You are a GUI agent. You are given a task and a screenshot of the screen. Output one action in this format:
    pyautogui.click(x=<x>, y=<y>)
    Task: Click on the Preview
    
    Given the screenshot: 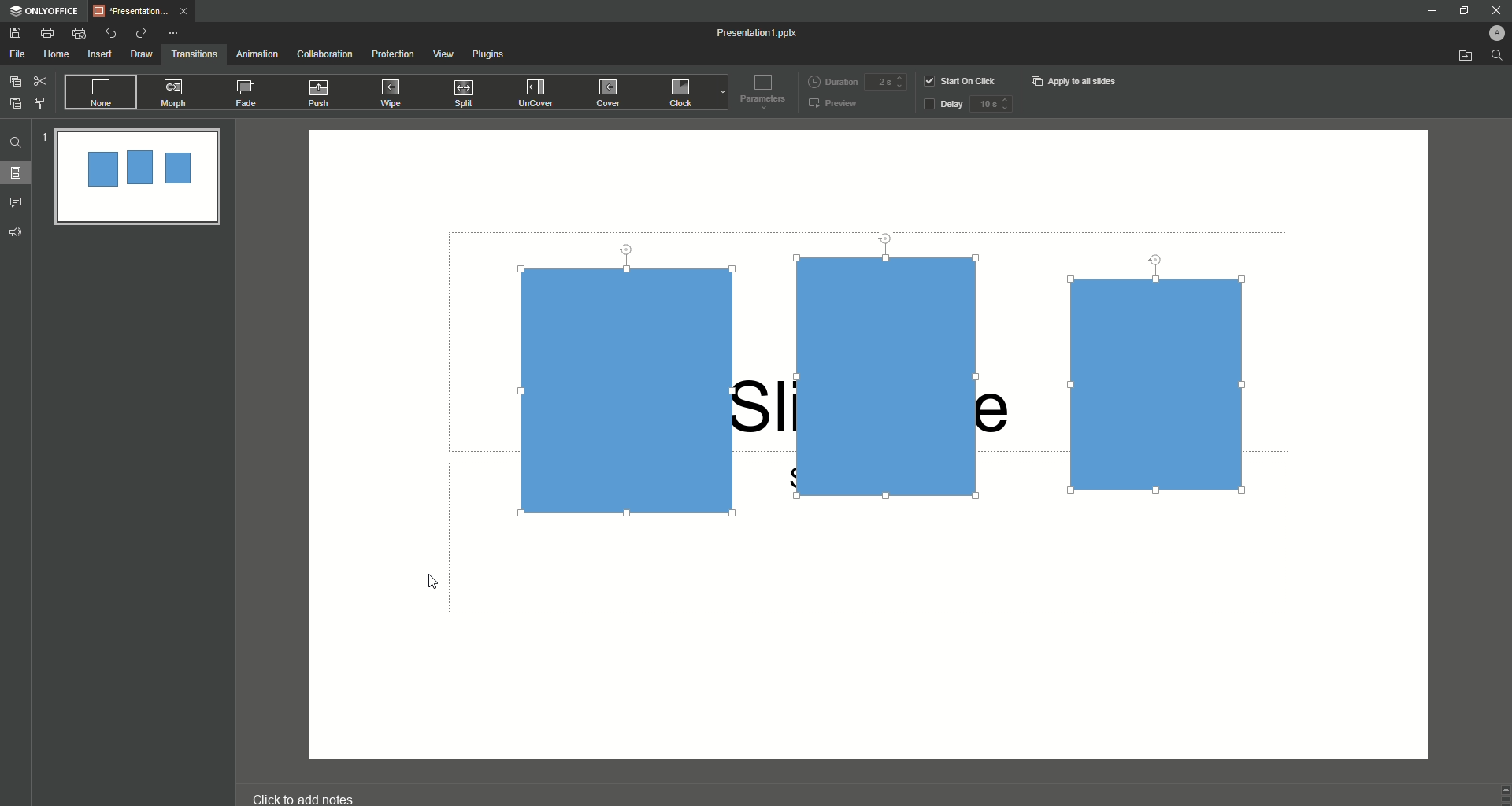 What is the action you would take?
    pyautogui.click(x=834, y=105)
    